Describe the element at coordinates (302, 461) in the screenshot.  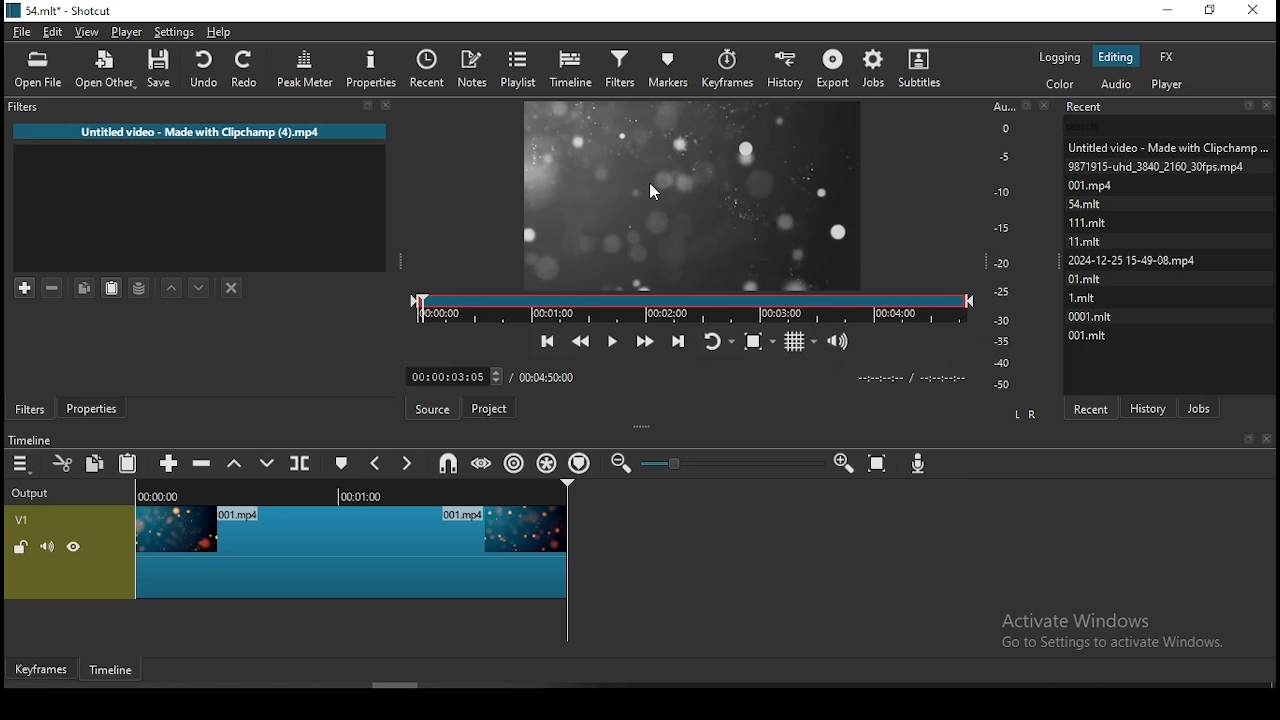
I see `split at playhead` at that location.